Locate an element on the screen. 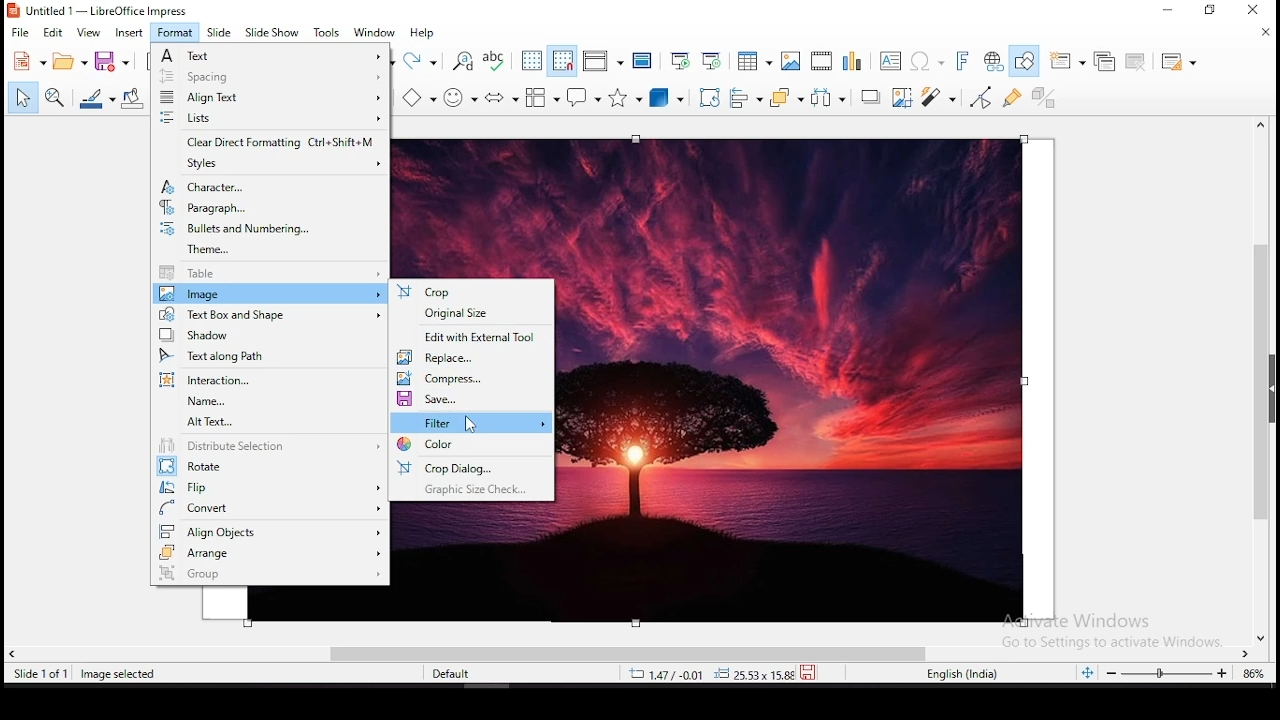  insert hyperlink is located at coordinates (996, 61).